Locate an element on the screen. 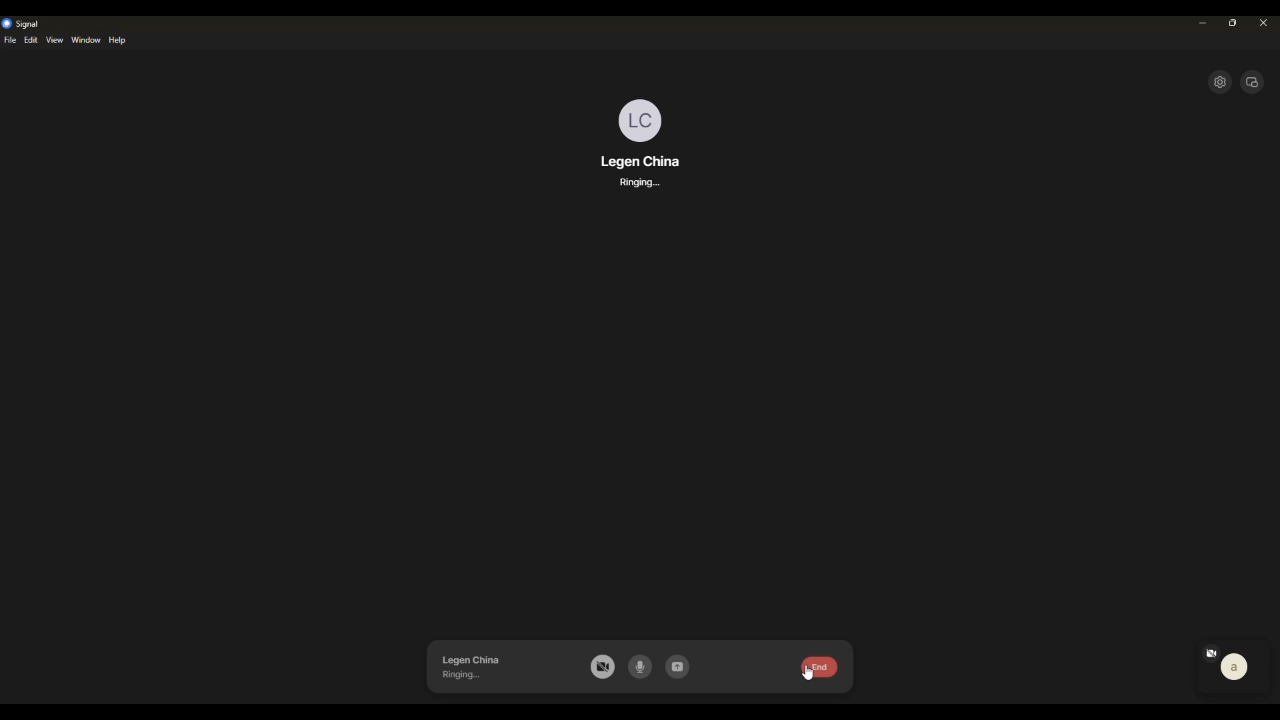 The width and height of the screenshot is (1280, 720). settings is located at coordinates (1221, 82).